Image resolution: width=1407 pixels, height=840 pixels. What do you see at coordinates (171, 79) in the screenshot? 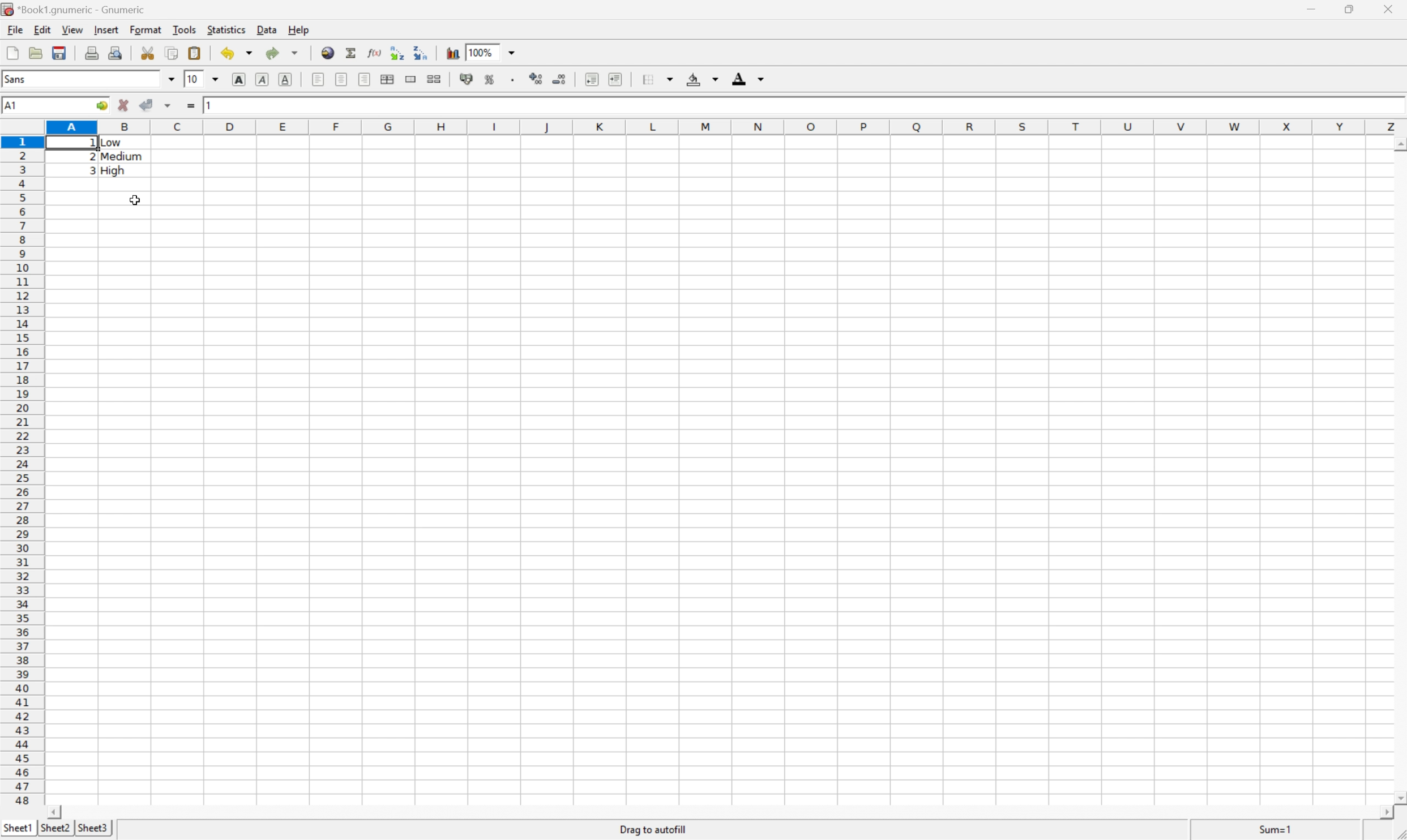
I see `Drop Down` at bounding box center [171, 79].